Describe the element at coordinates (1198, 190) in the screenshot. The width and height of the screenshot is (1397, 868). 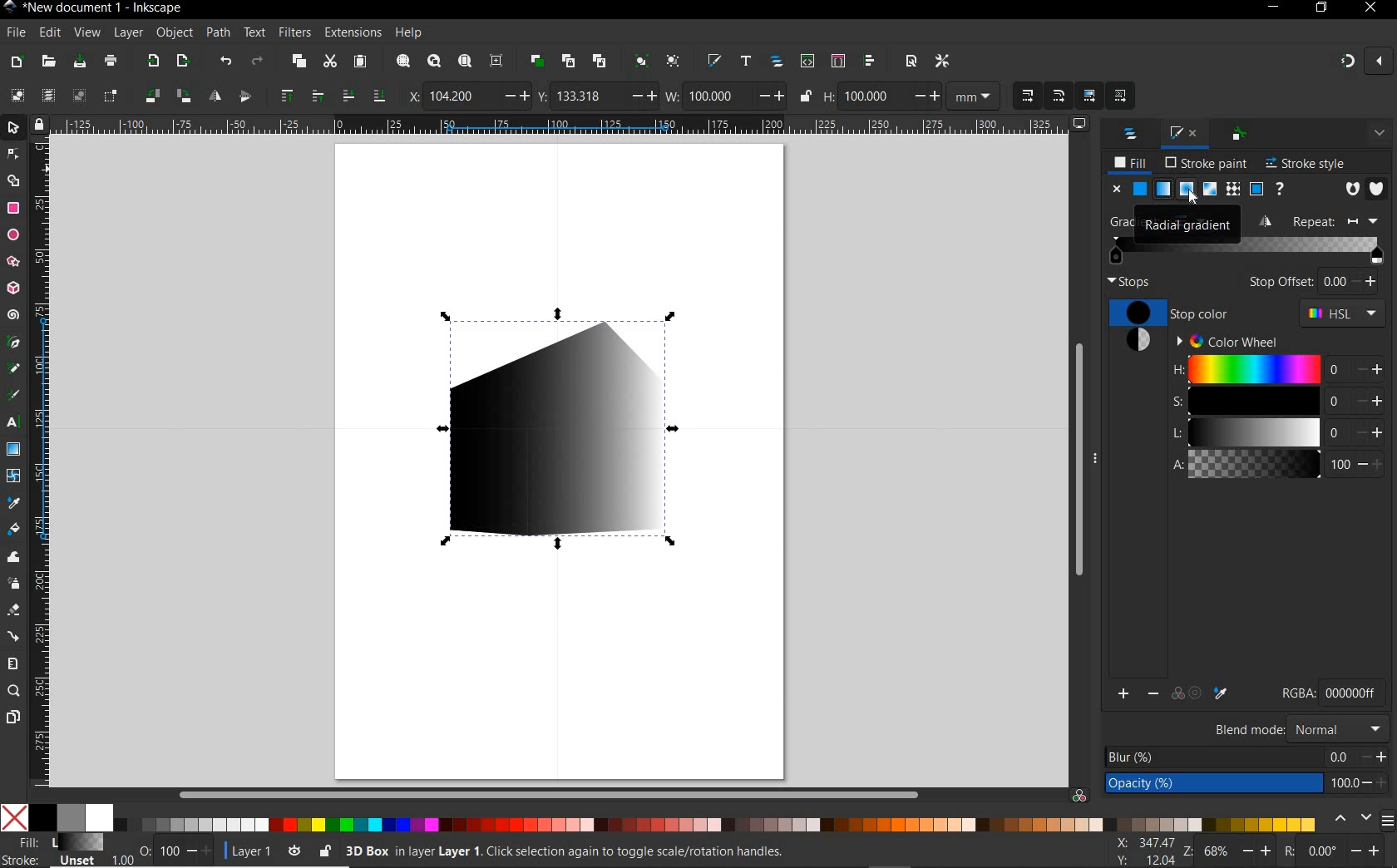
I see `PAINT STYLES` at that location.